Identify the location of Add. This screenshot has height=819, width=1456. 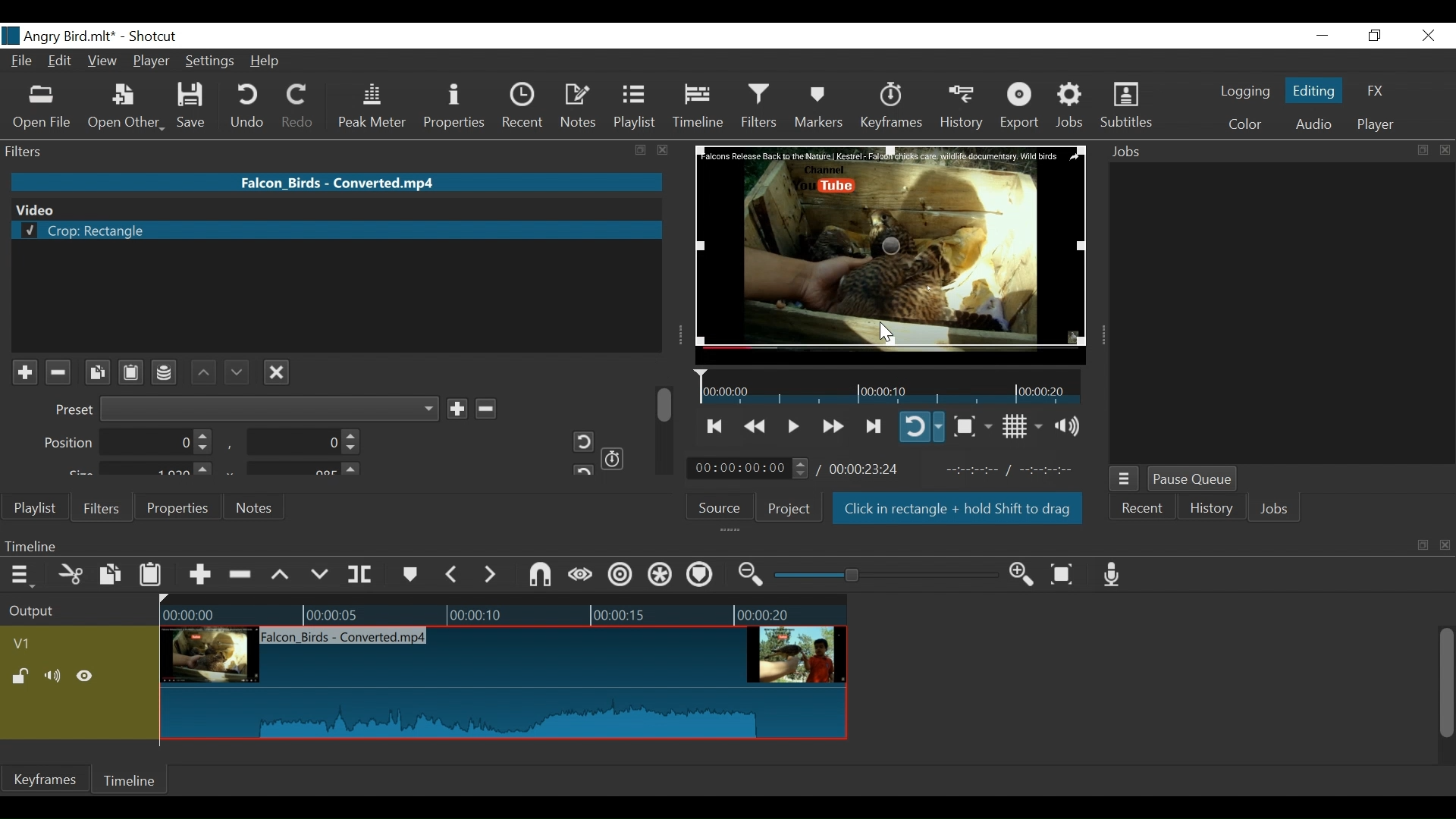
(457, 408).